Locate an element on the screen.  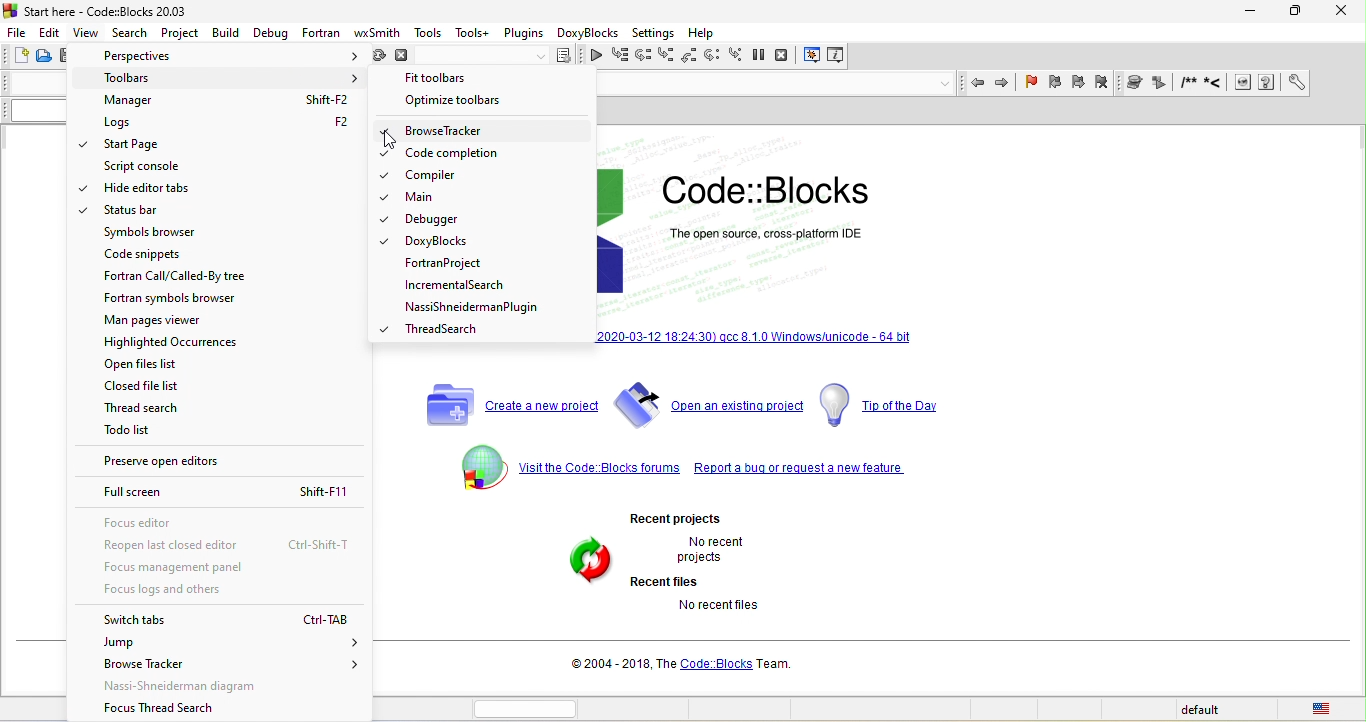
toolbars is located at coordinates (229, 75).